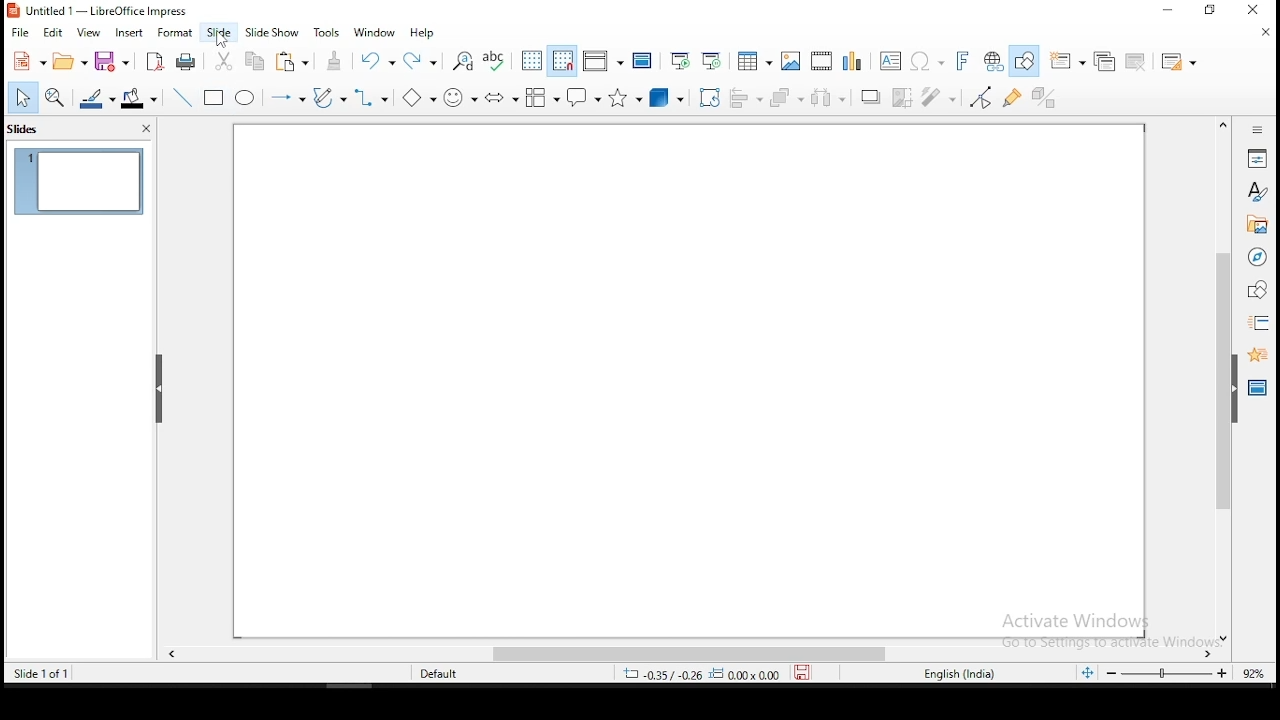 This screenshot has width=1280, height=720. I want to click on sidebar settings, so click(1260, 129).